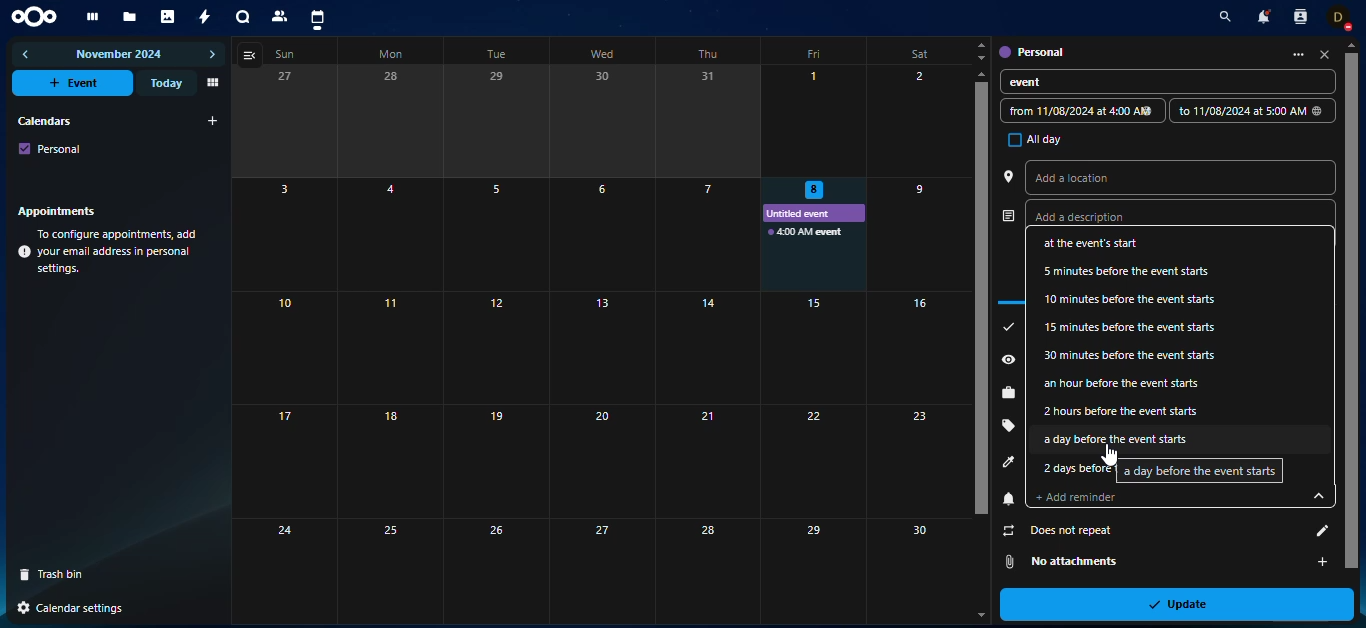 The image size is (1366, 628). Describe the element at coordinates (602, 570) in the screenshot. I see `27` at that location.